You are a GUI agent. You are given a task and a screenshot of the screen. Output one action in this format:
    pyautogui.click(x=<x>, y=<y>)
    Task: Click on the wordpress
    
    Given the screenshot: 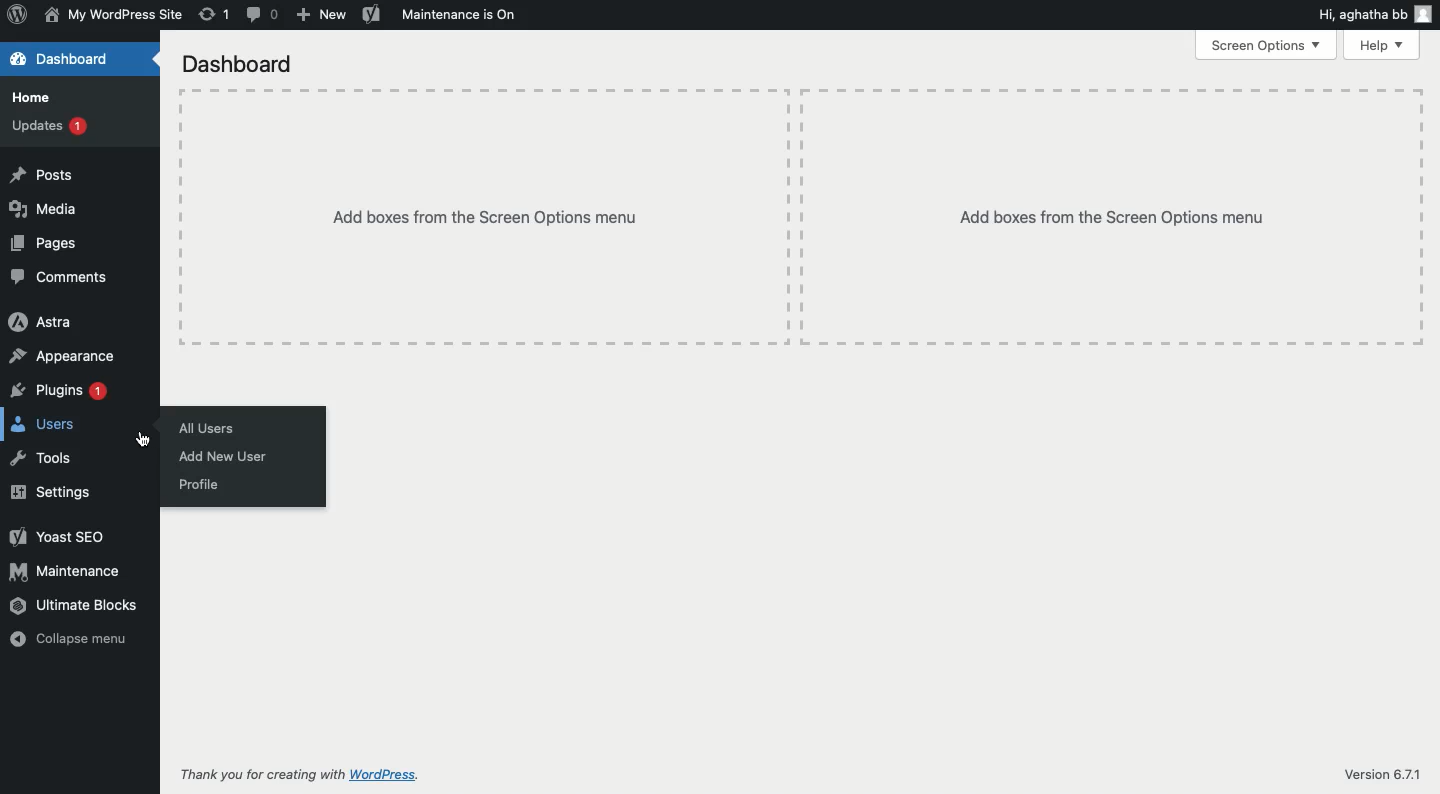 What is the action you would take?
    pyautogui.click(x=387, y=775)
    